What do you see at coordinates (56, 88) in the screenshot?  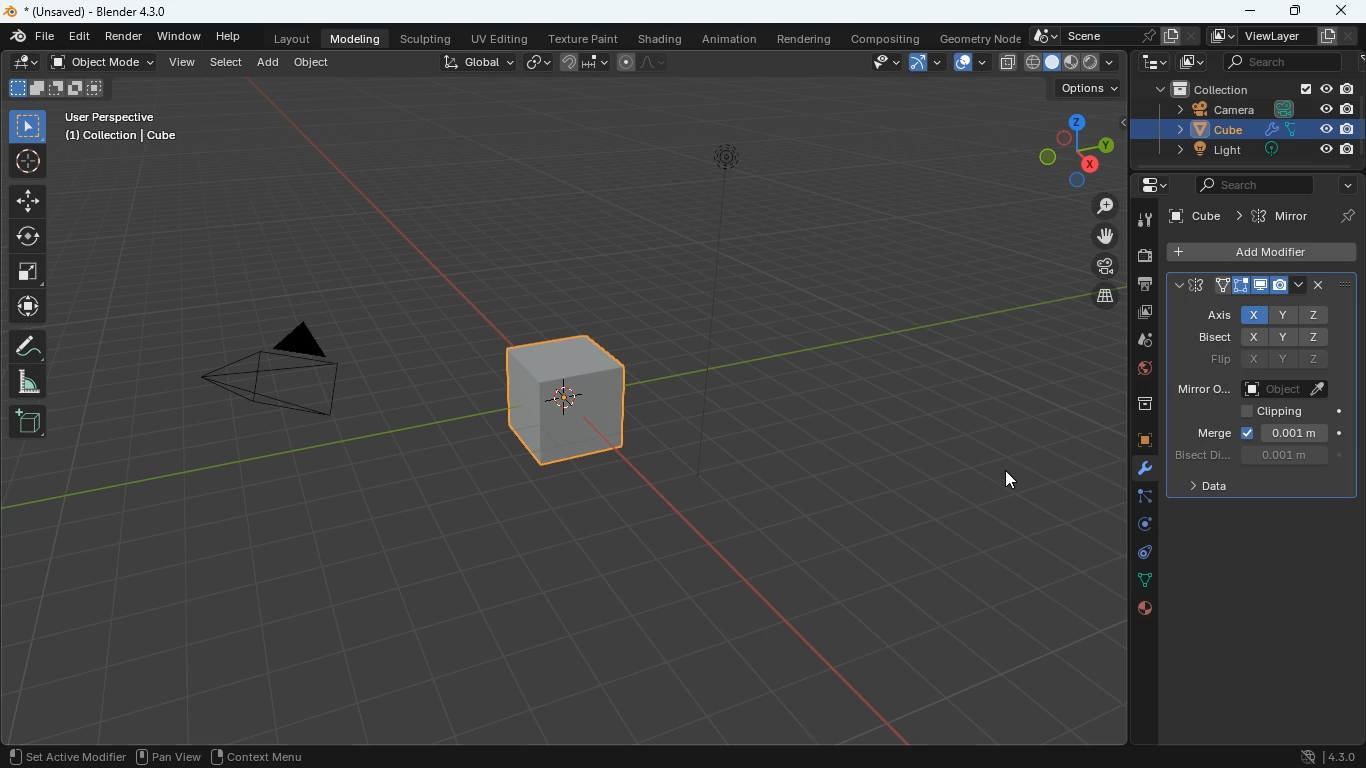 I see `shape` at bounding box center [56, 88].